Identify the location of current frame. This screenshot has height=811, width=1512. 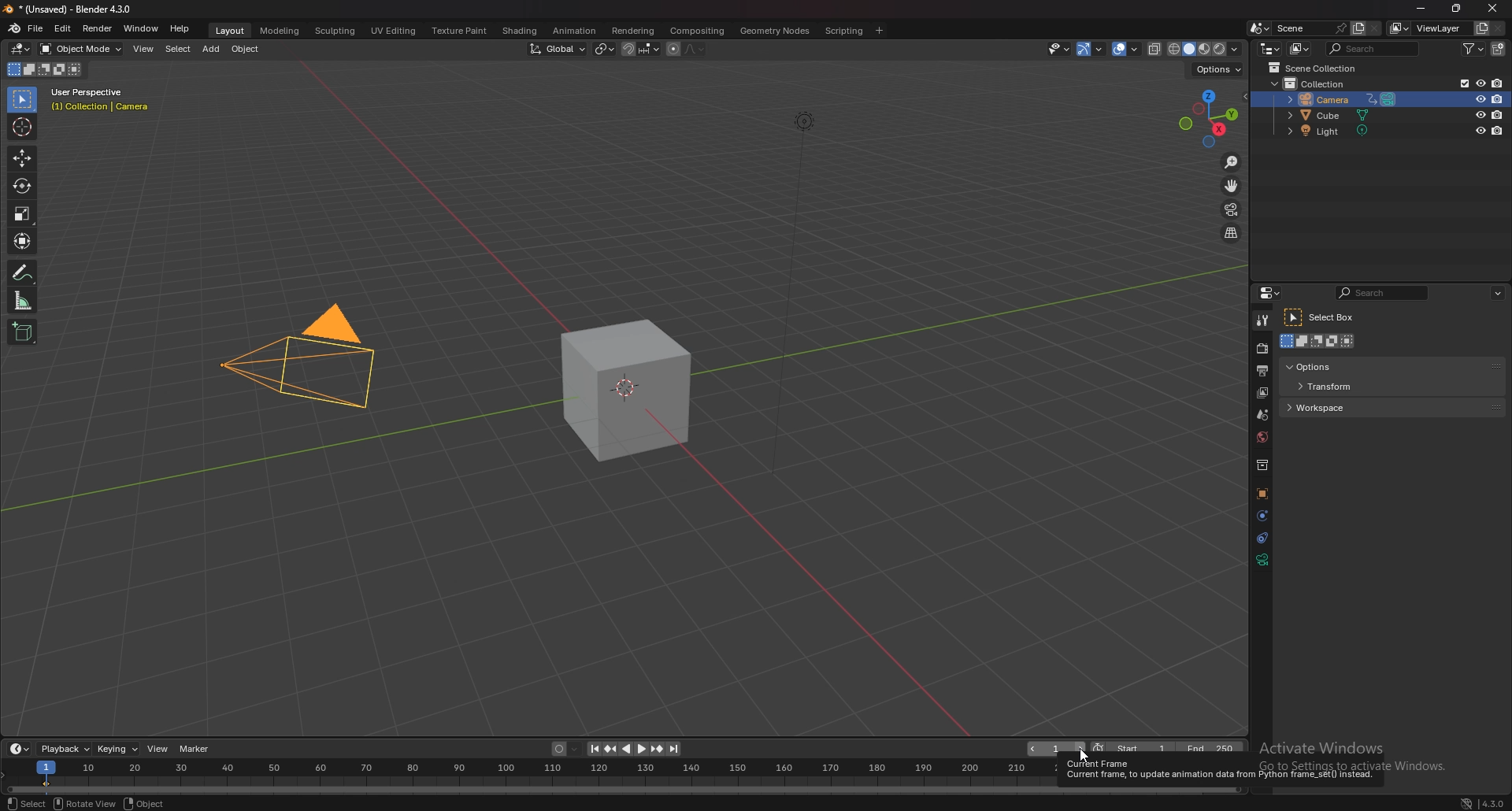
(1056, 750).